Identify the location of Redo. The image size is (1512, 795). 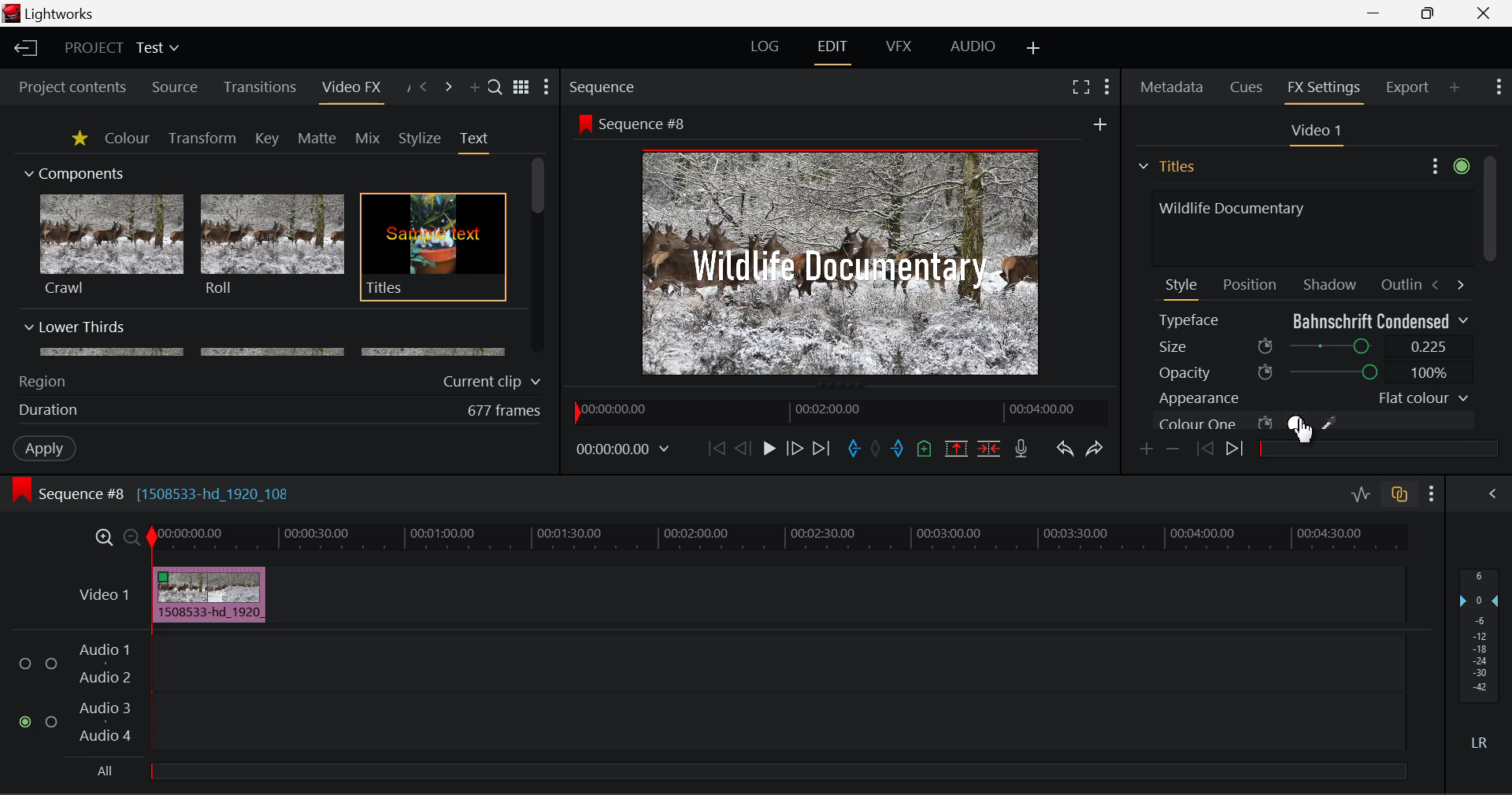
(1096, 449).